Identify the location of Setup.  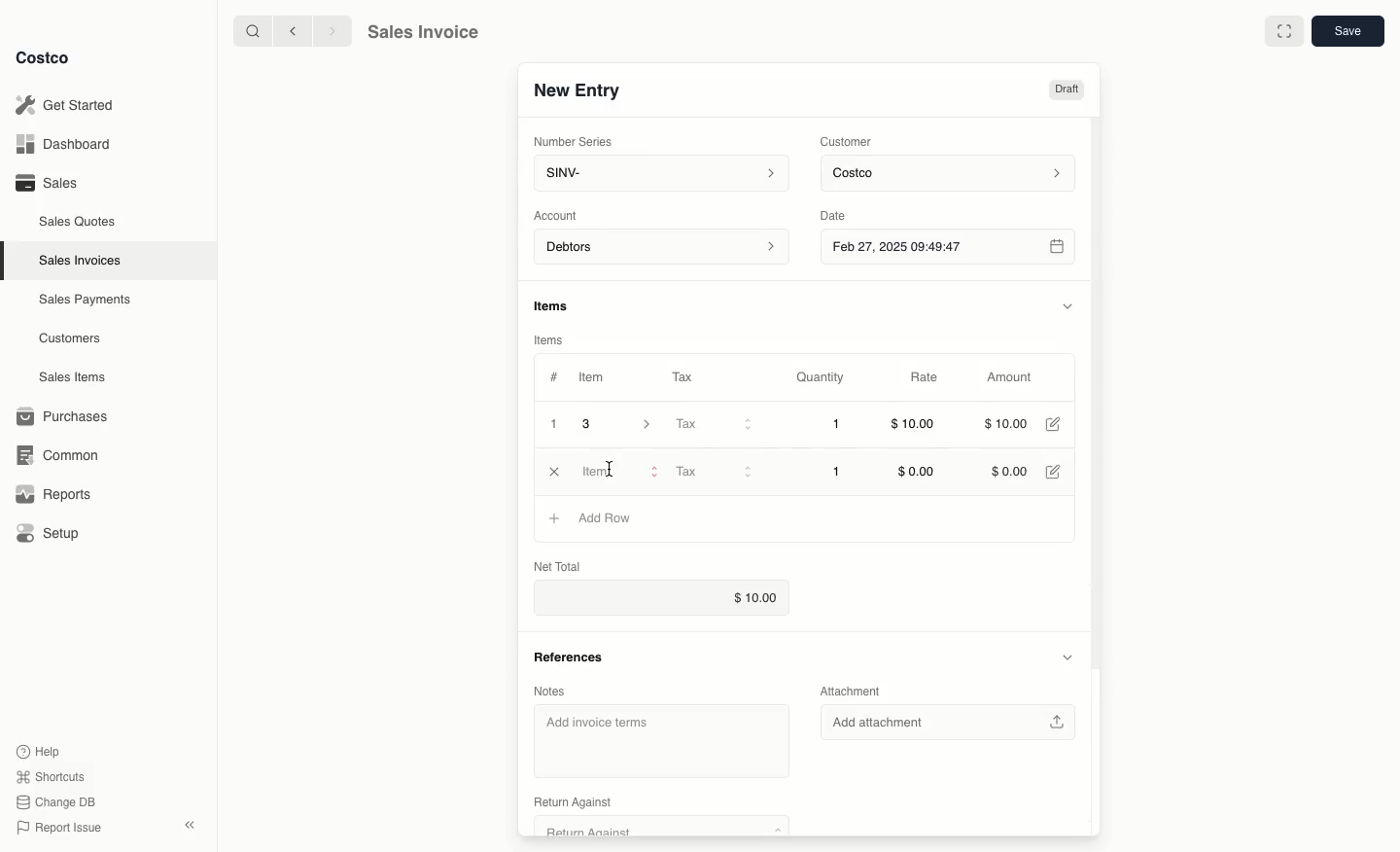
(50, 535).